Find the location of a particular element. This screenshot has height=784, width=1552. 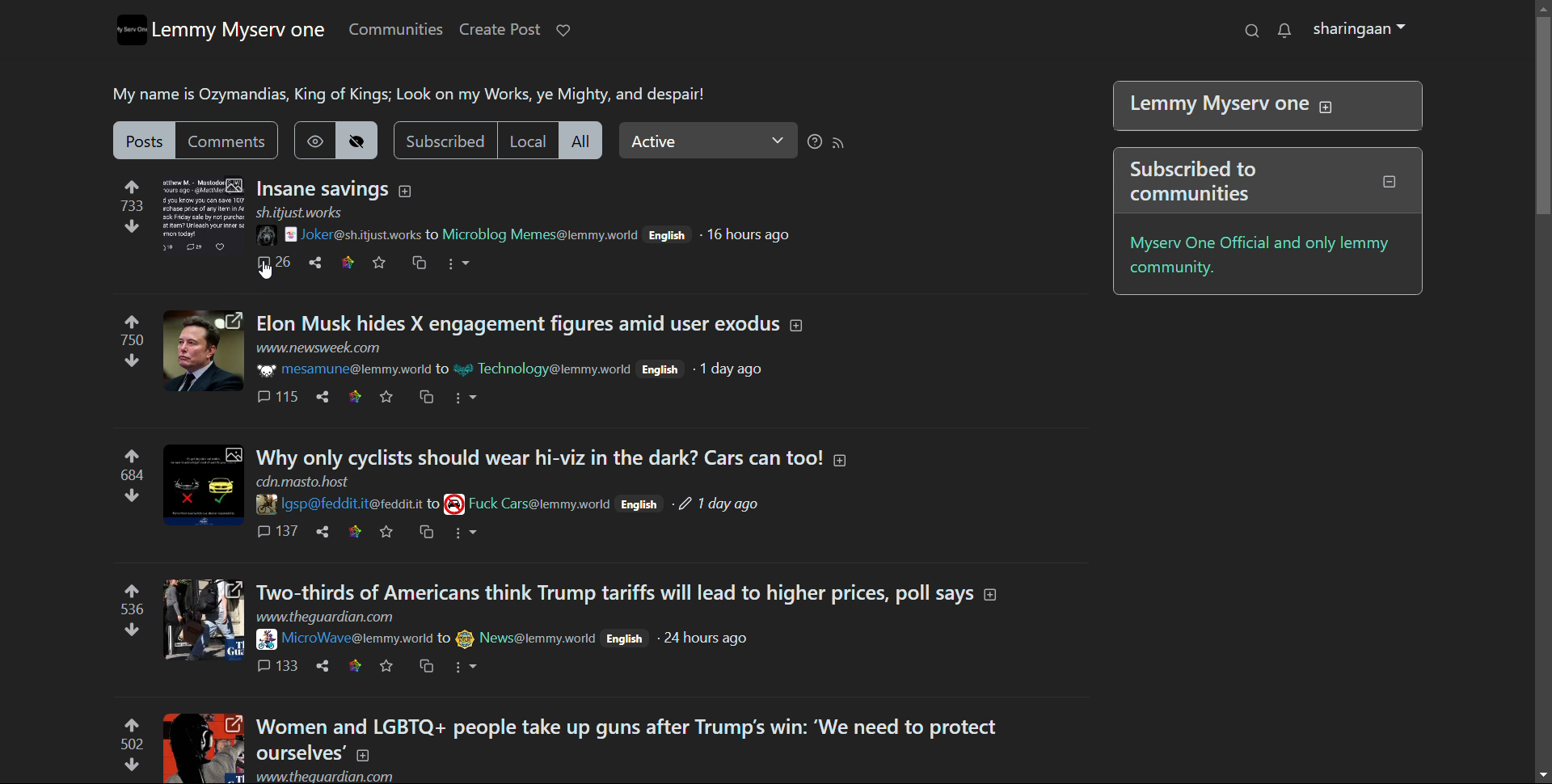

expand is located at coordinates (799, 325).